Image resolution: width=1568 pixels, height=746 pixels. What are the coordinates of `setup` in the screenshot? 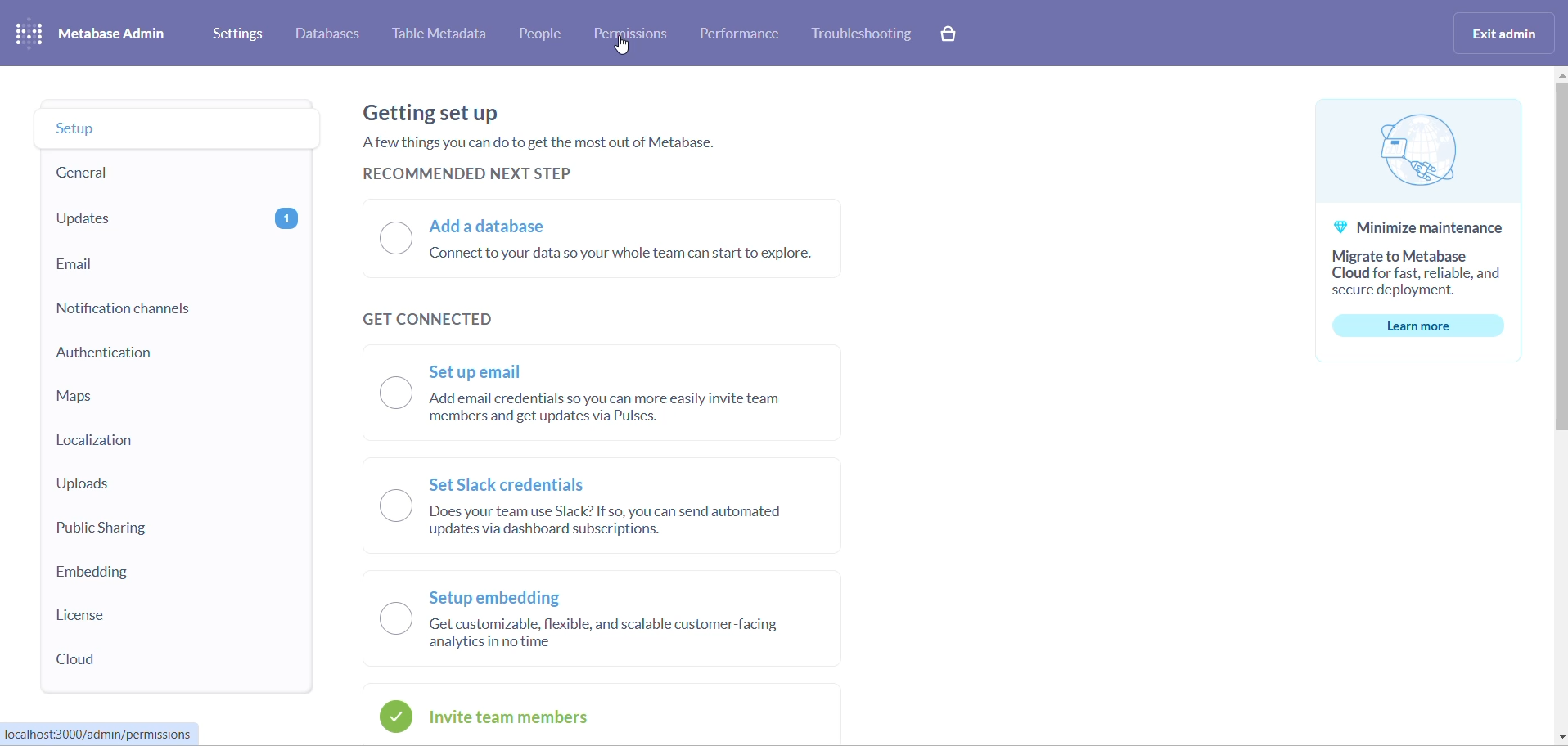 It's located at (168, 132).